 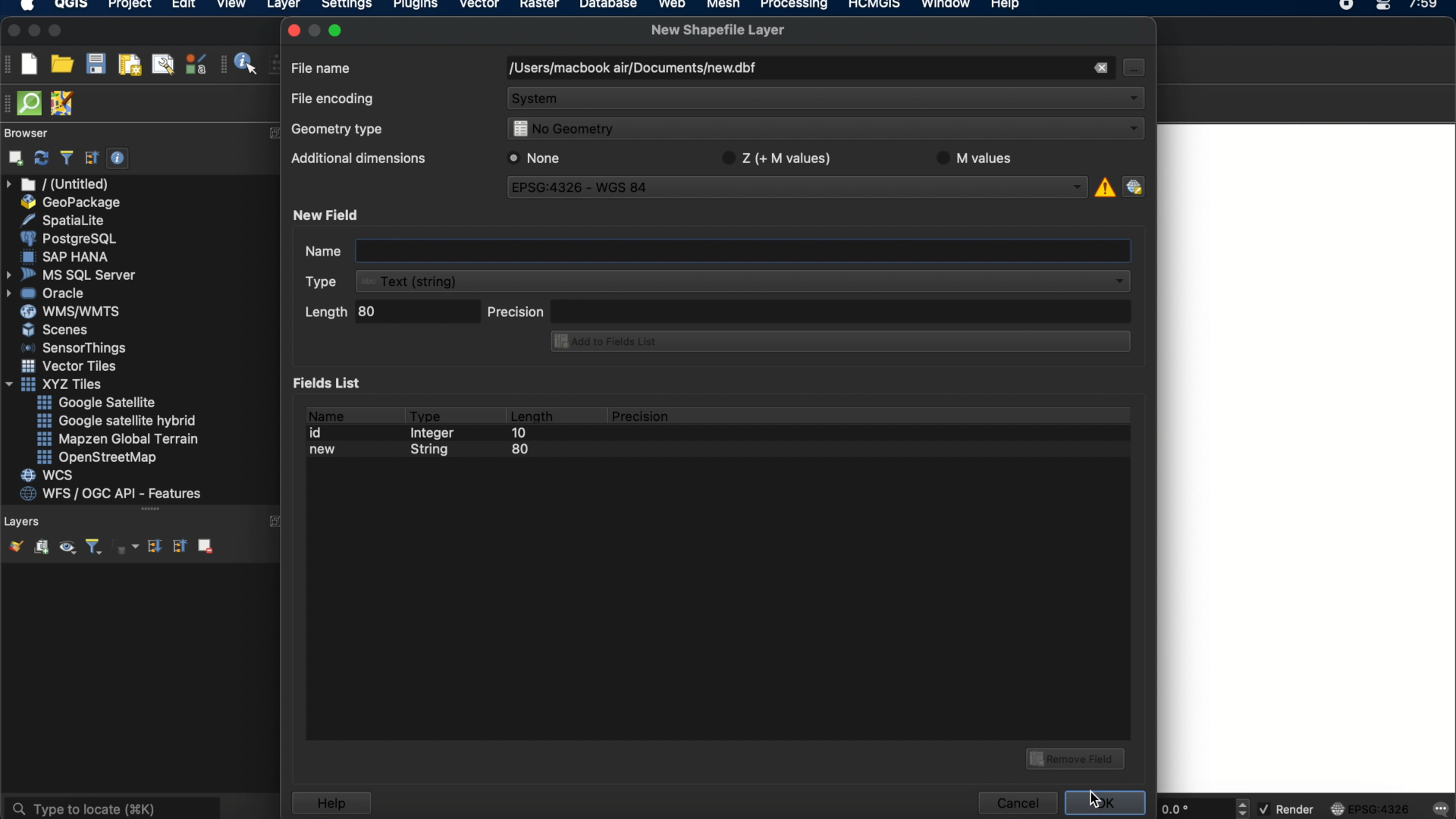 I want to click on untitled, so click(x=59, y=184).